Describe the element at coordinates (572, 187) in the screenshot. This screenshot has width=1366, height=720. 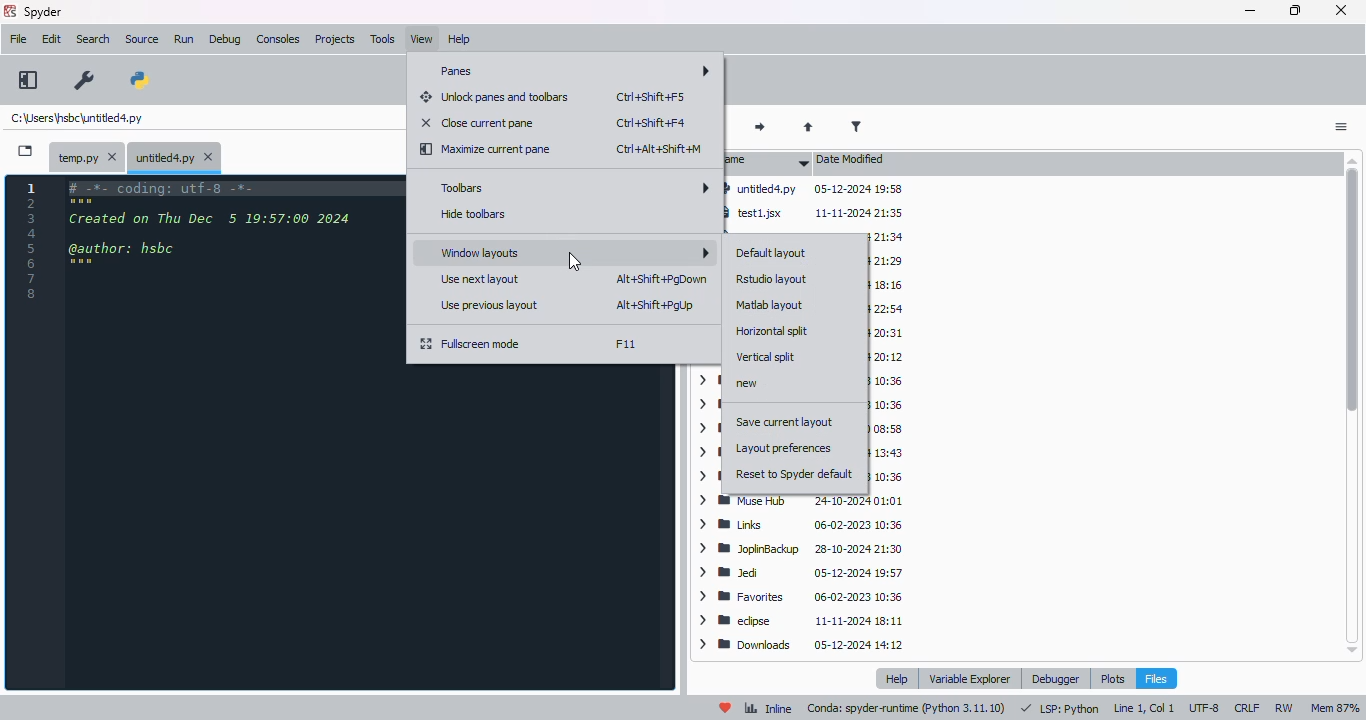
I see `toolbars` at that location.